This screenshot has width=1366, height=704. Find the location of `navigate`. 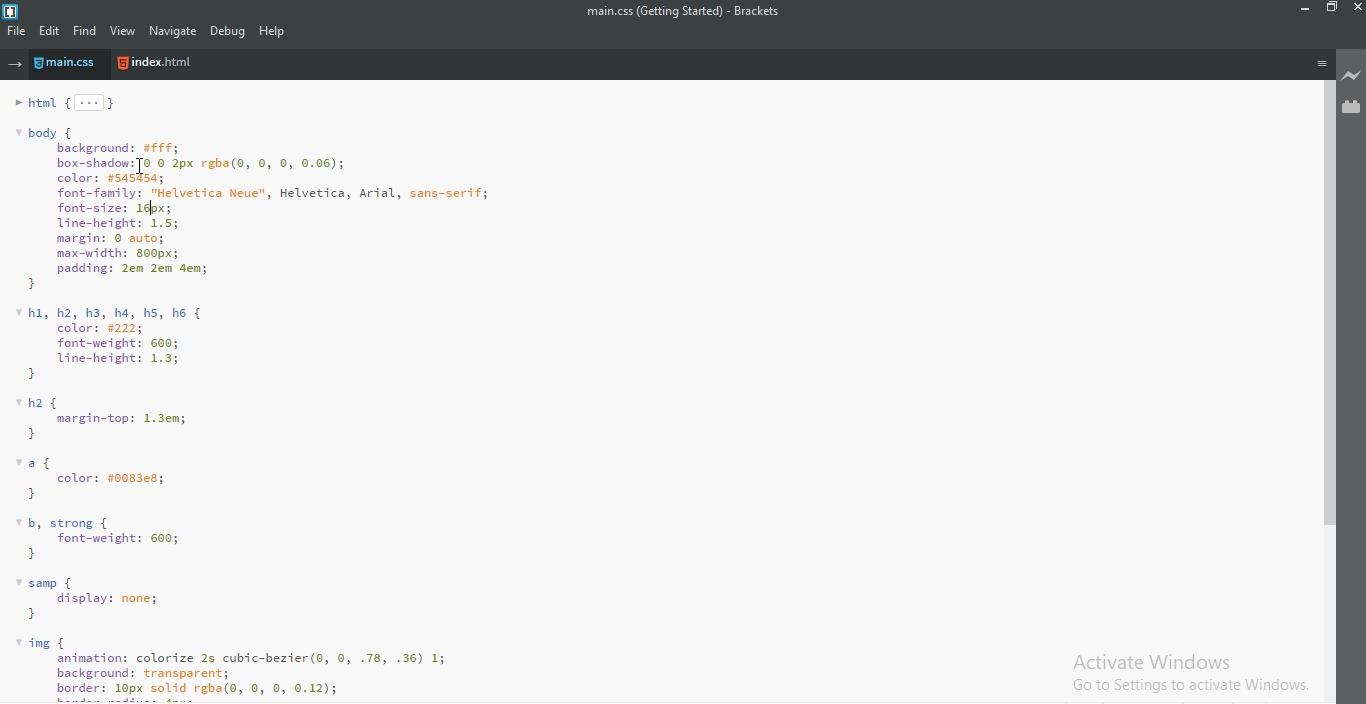

navigate is located at coordinates (171, 31).